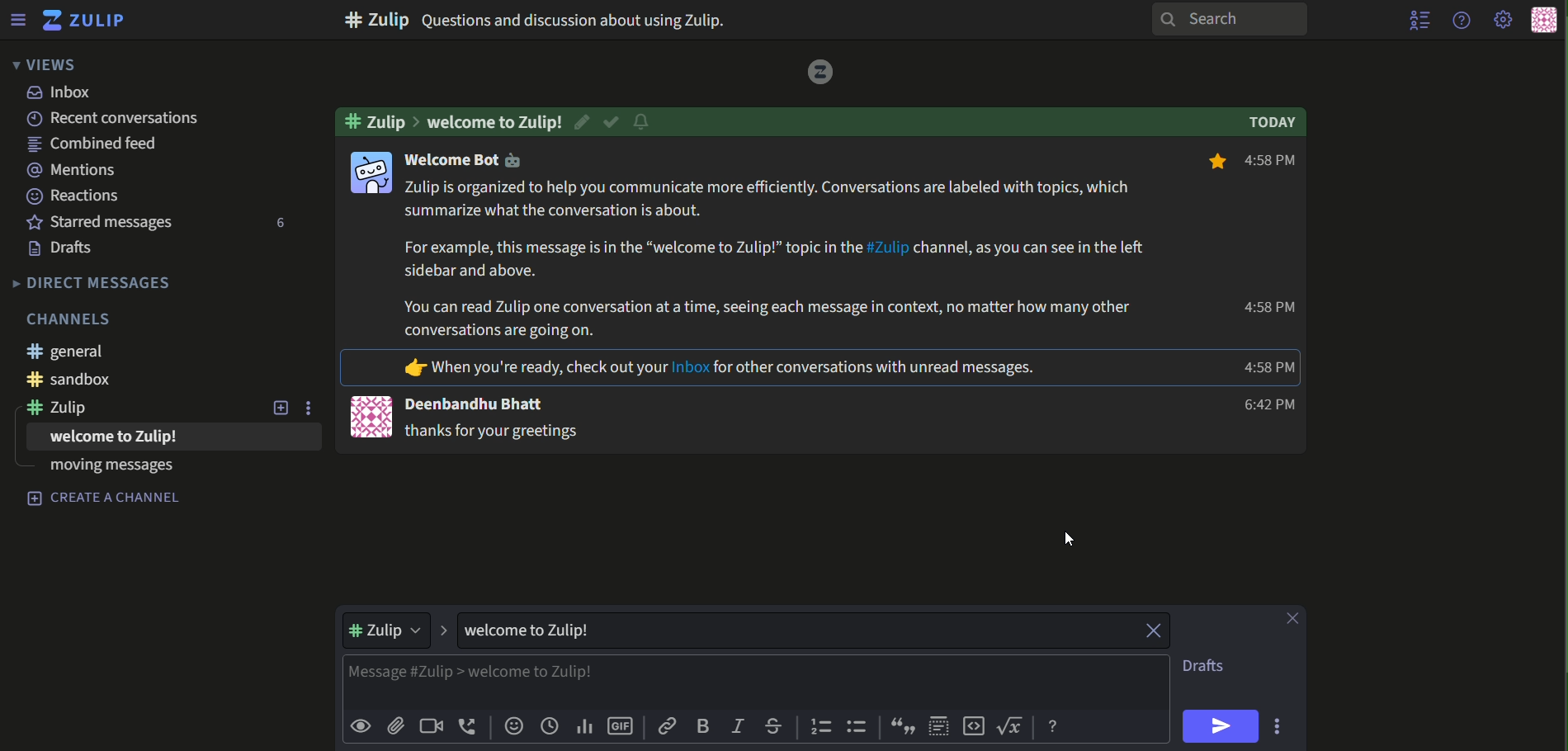  Describe the element at coordinates (84, 21) in the screenshot. I see `logo and title` at that location.